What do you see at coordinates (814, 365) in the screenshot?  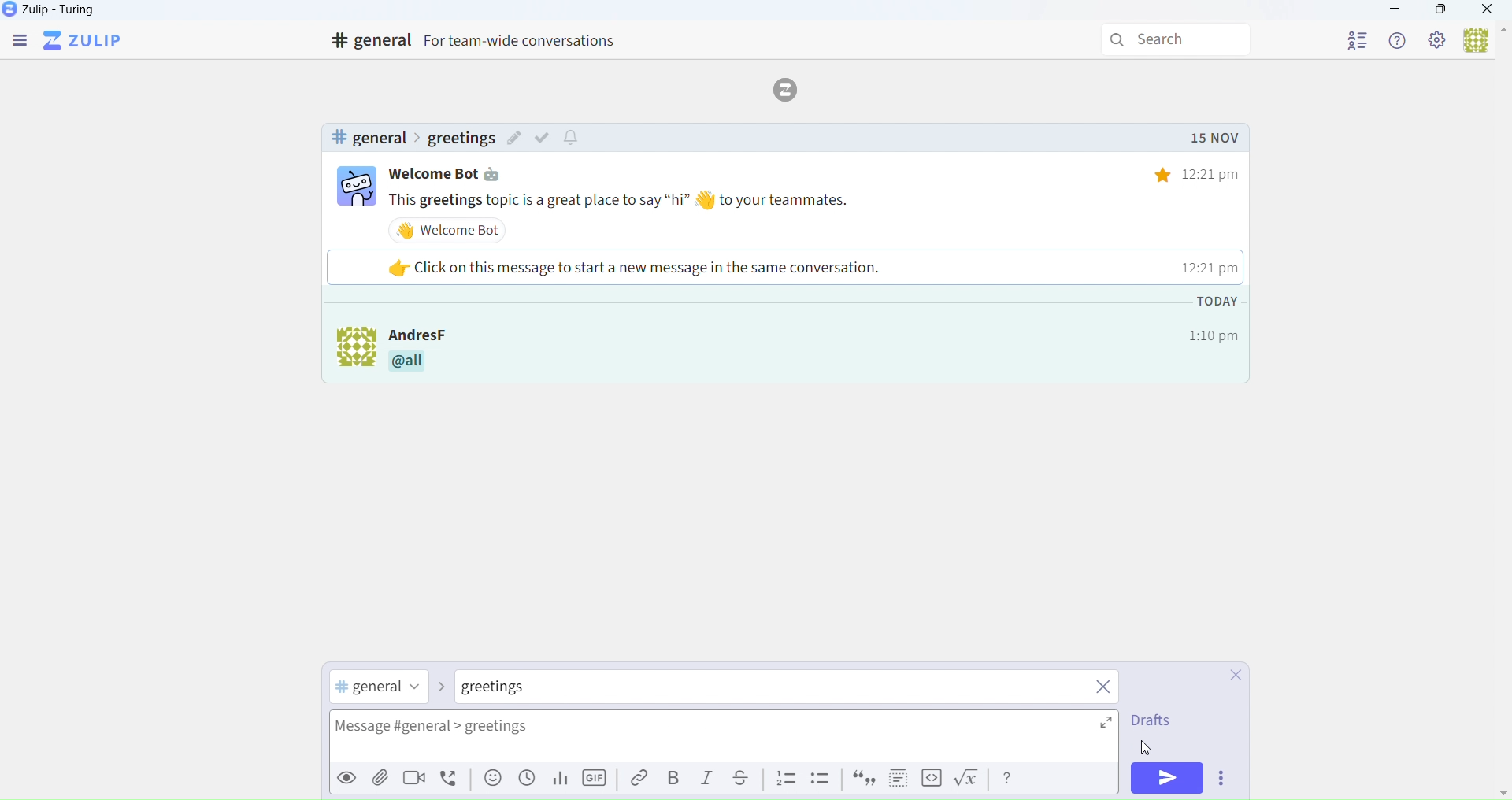 I see `After_last_action` at bounding box center [814, 365].